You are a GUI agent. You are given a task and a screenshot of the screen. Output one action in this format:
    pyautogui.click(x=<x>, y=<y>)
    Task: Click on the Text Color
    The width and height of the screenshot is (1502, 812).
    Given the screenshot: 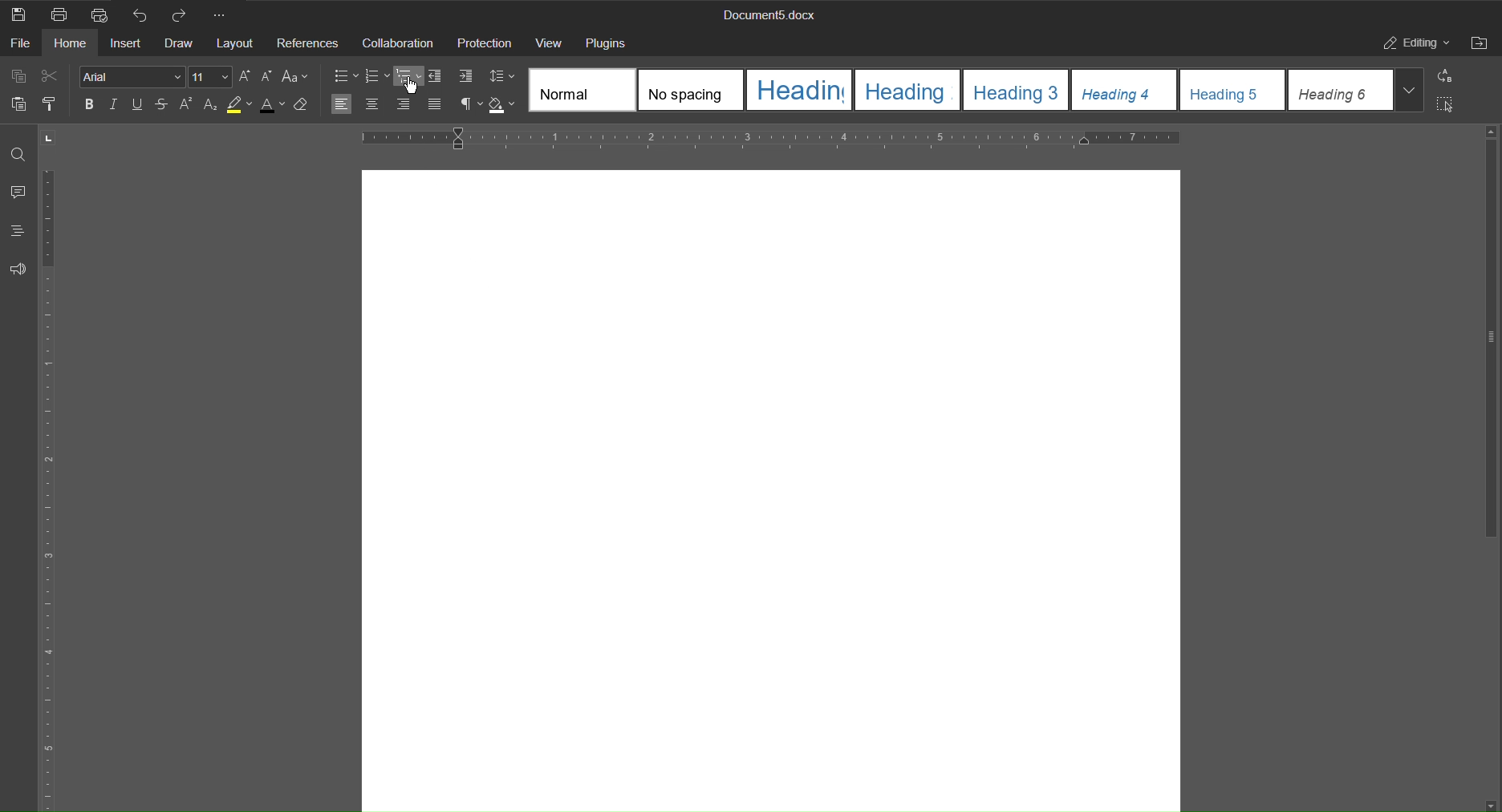 What is the action you would take?
    pyautogui.click(x=272, y=104)
    